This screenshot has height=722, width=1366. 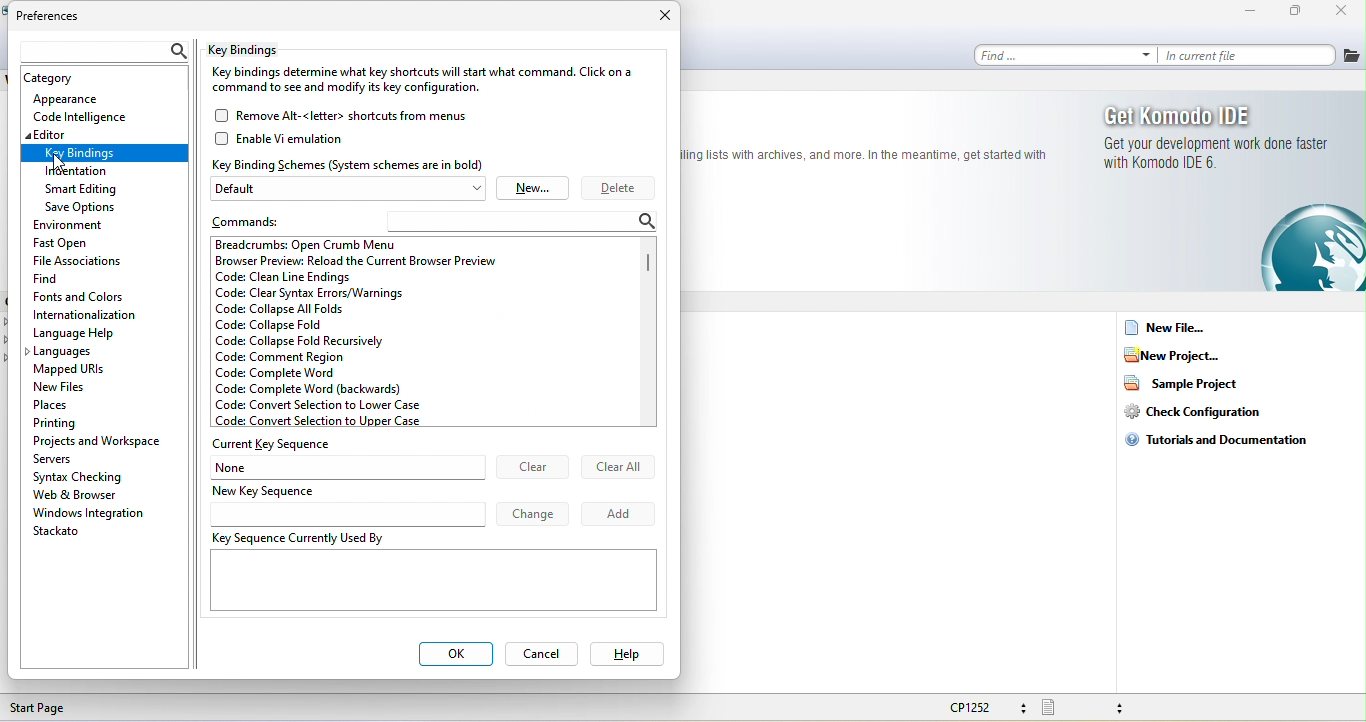 What do you see at coordinates (308, 293) in the screenshot?
I see `code clear syntax errors/warmings` at bounding box center [308, 293].